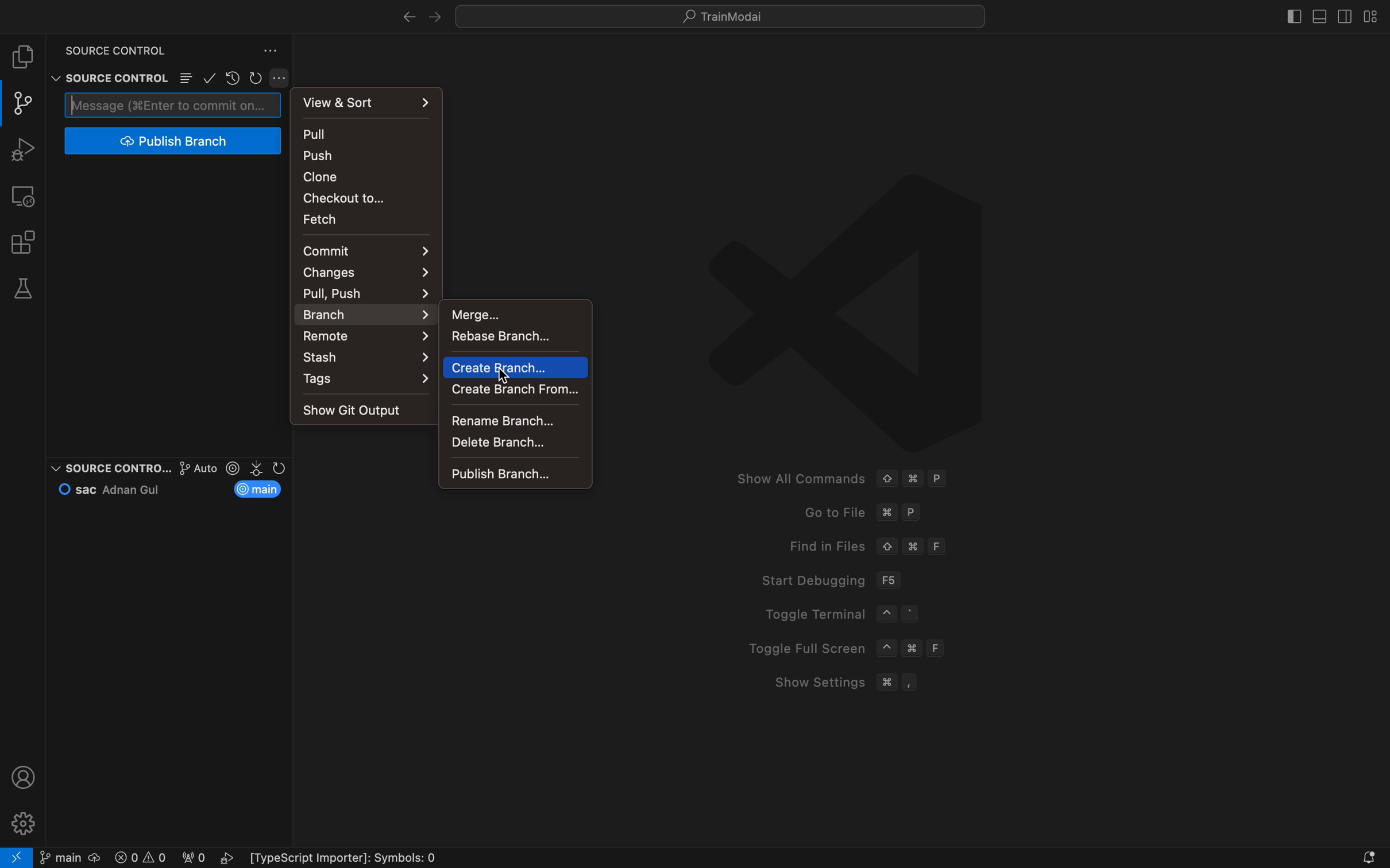 The height and width of the screenshot is (868, 1390). Describe the element at coordinates (25, 57) in the screenshot. I see `file explore` at that location.